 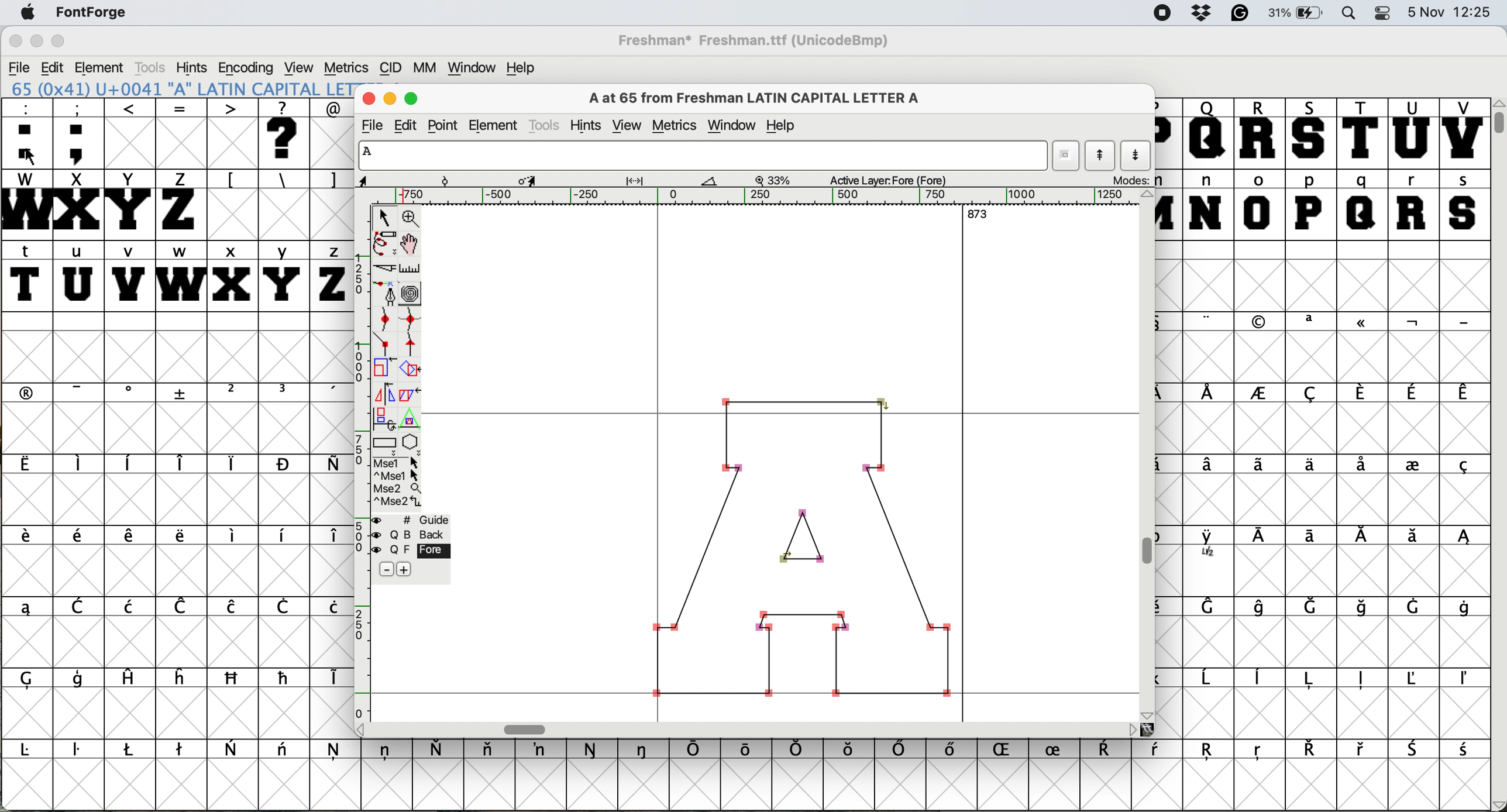 What do you see at coordinates (955, 752) in the screenshot?
I see `symbol` at bounding box center [955, 752].